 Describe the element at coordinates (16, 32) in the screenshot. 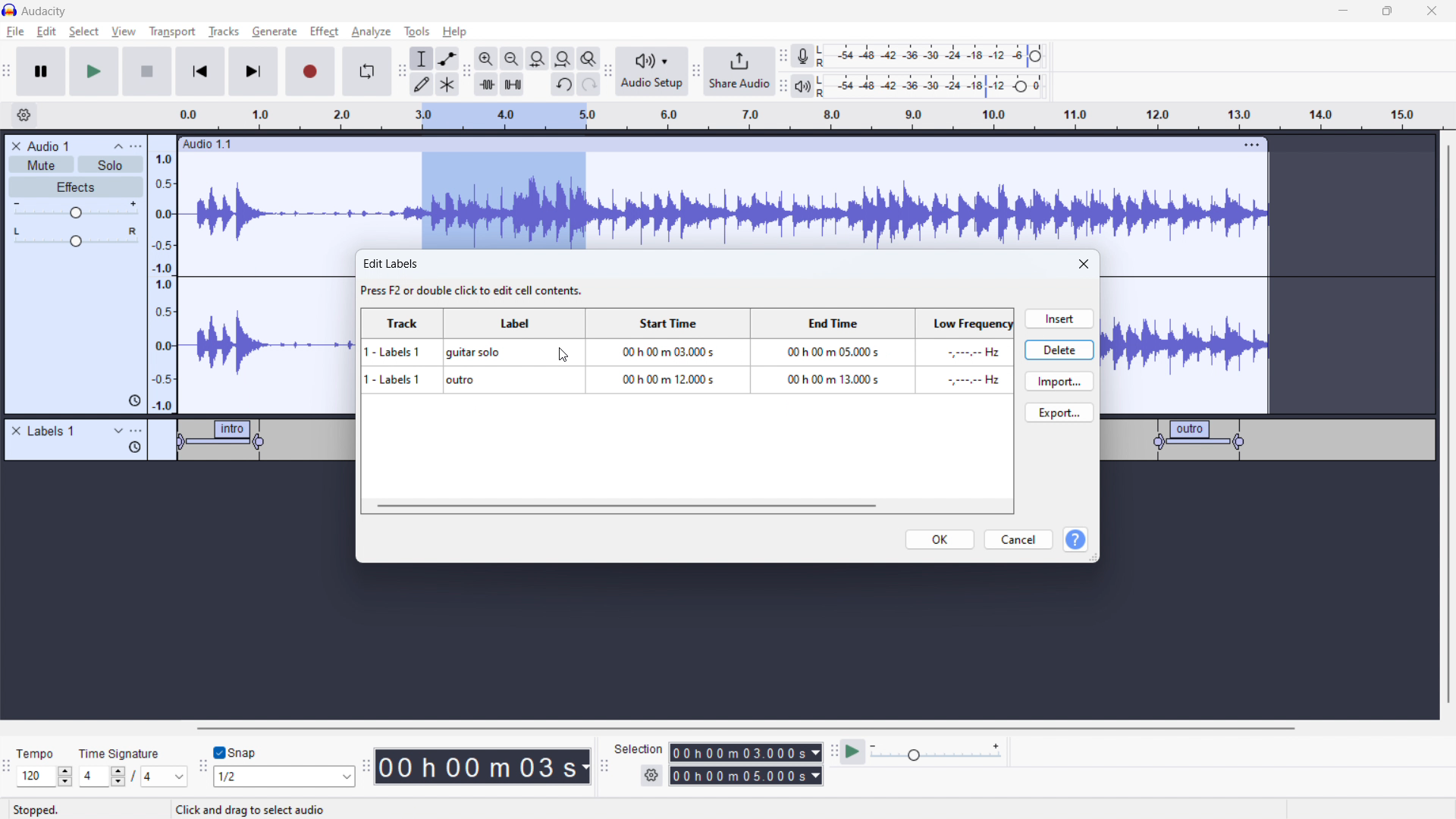

I see `file` at that location.